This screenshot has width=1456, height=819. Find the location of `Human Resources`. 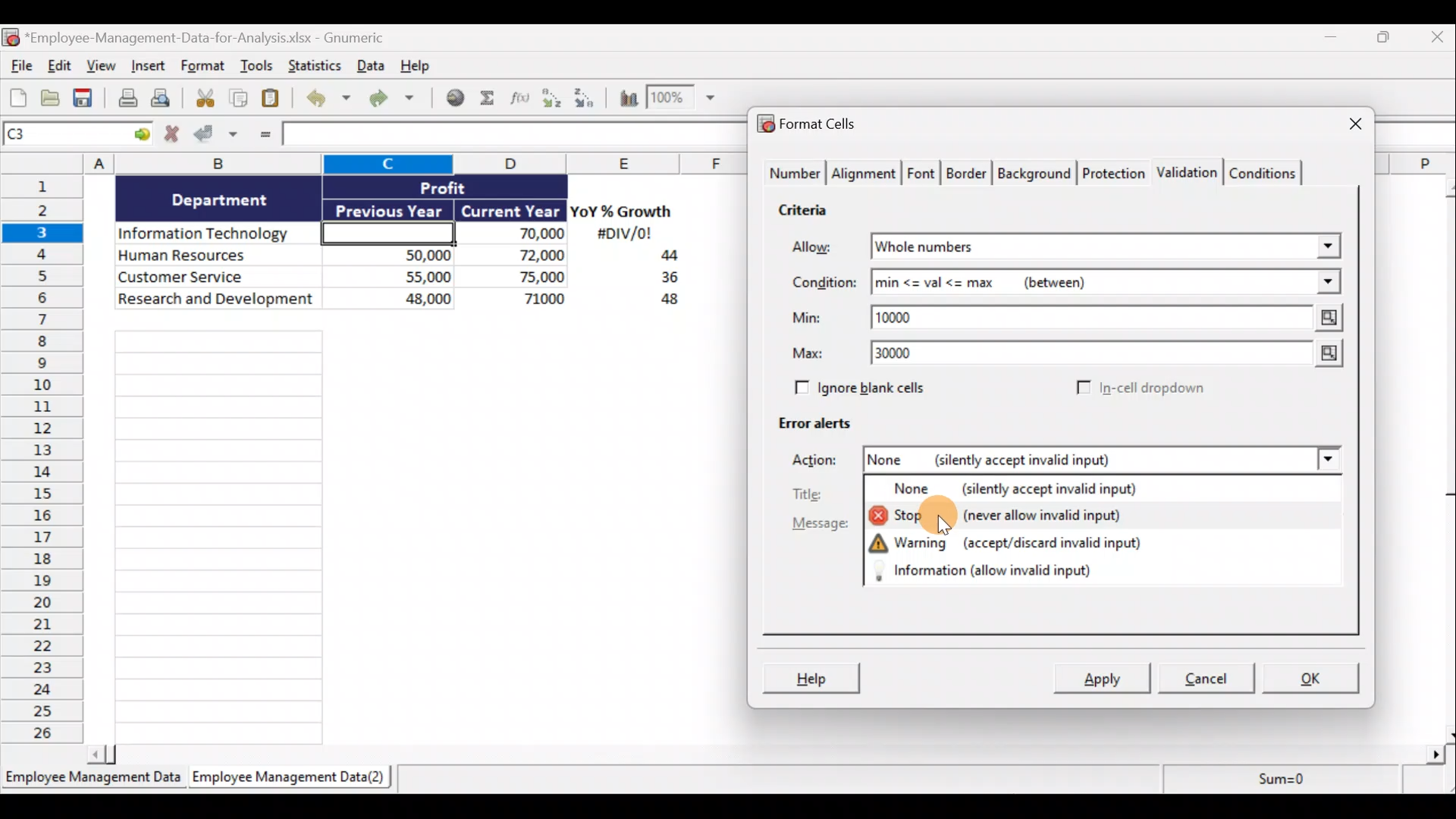

Human Resources is located at coordinates (215, 256).